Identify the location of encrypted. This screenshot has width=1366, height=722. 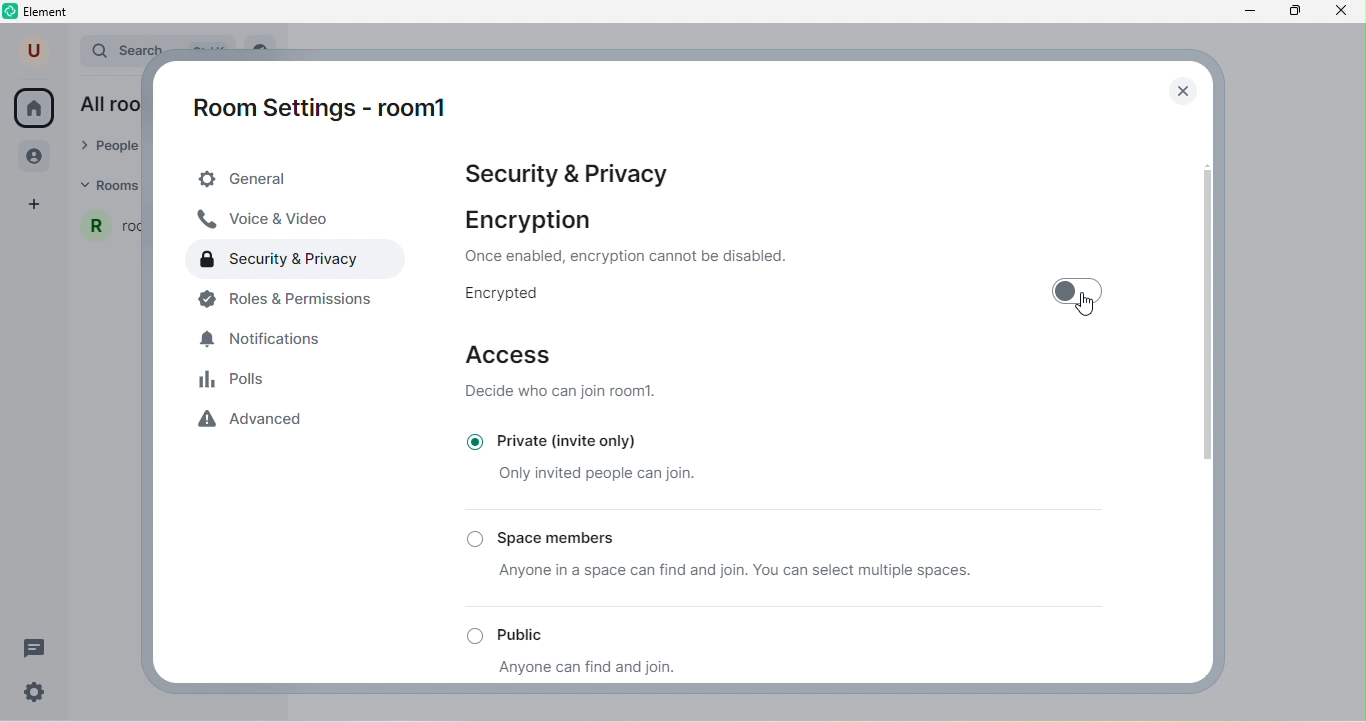
(513, 296).